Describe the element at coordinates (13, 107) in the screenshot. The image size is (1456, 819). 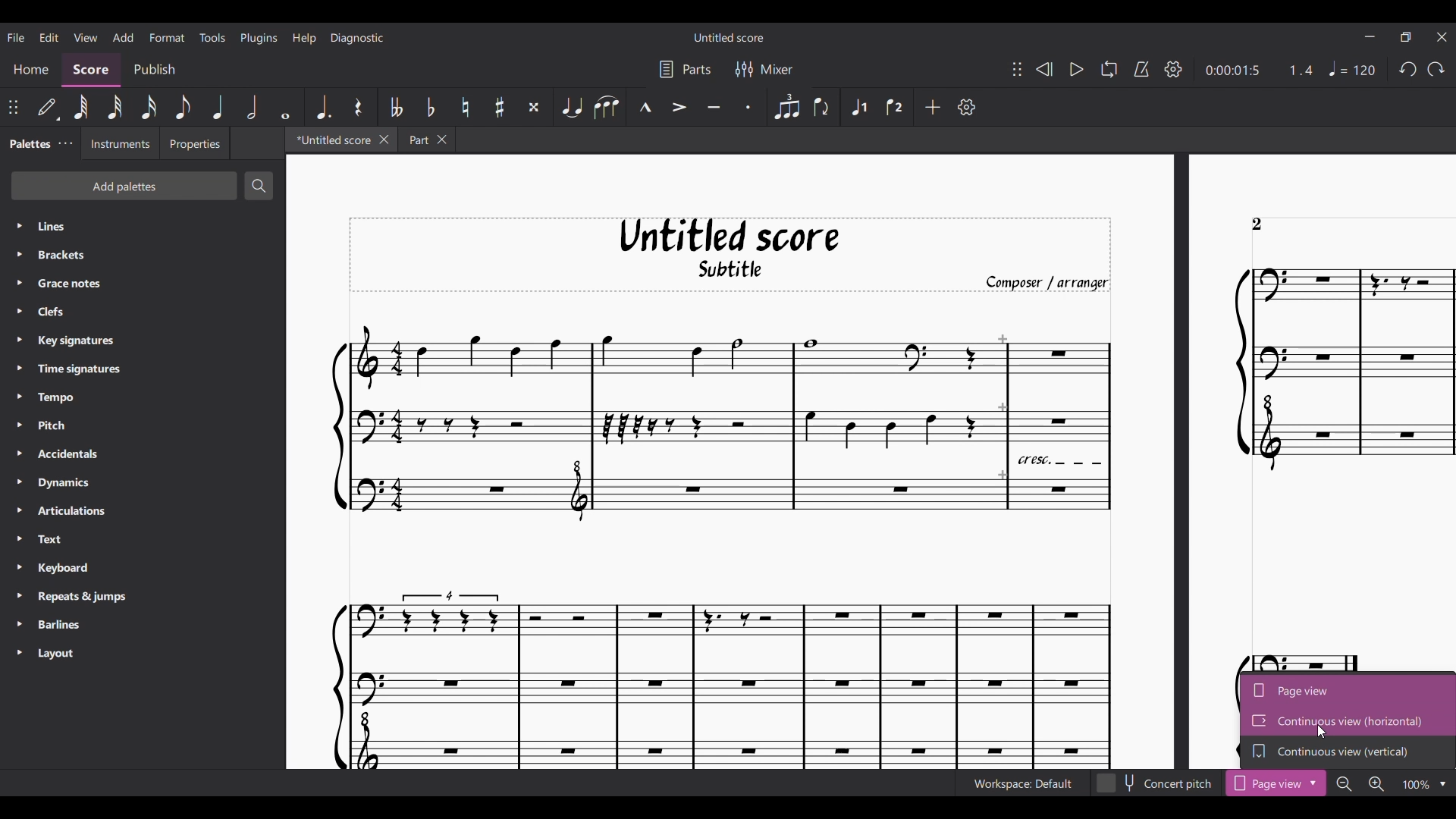
I see `Change position of toolbar attached` at that location.